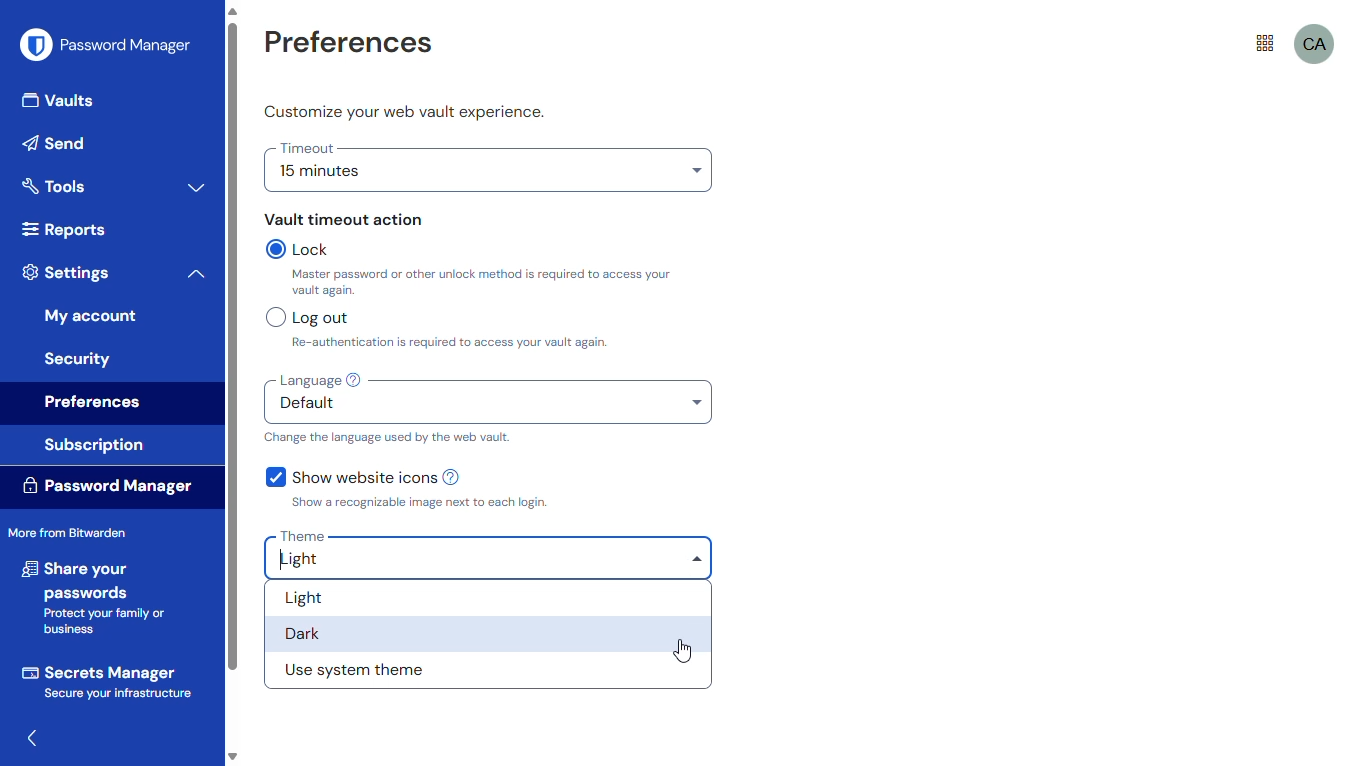 The image size is (1366, 766). What do you see at coordinates (59, 143) in the screenshot?
I see `send` at bounding box center [59, 143].